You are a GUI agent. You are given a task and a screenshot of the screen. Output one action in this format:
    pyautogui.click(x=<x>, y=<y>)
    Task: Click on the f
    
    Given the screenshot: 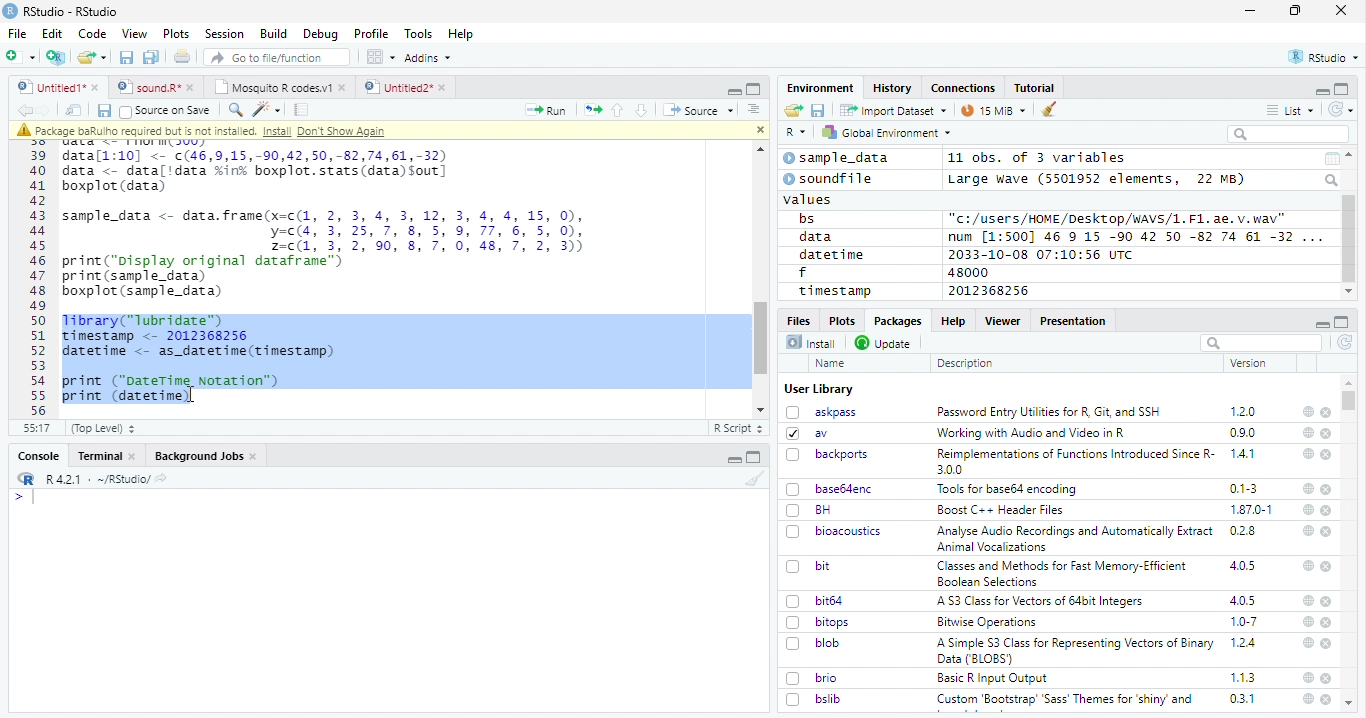 What is the action you would take?
    pyautogui.click(x=803, y=273)
    